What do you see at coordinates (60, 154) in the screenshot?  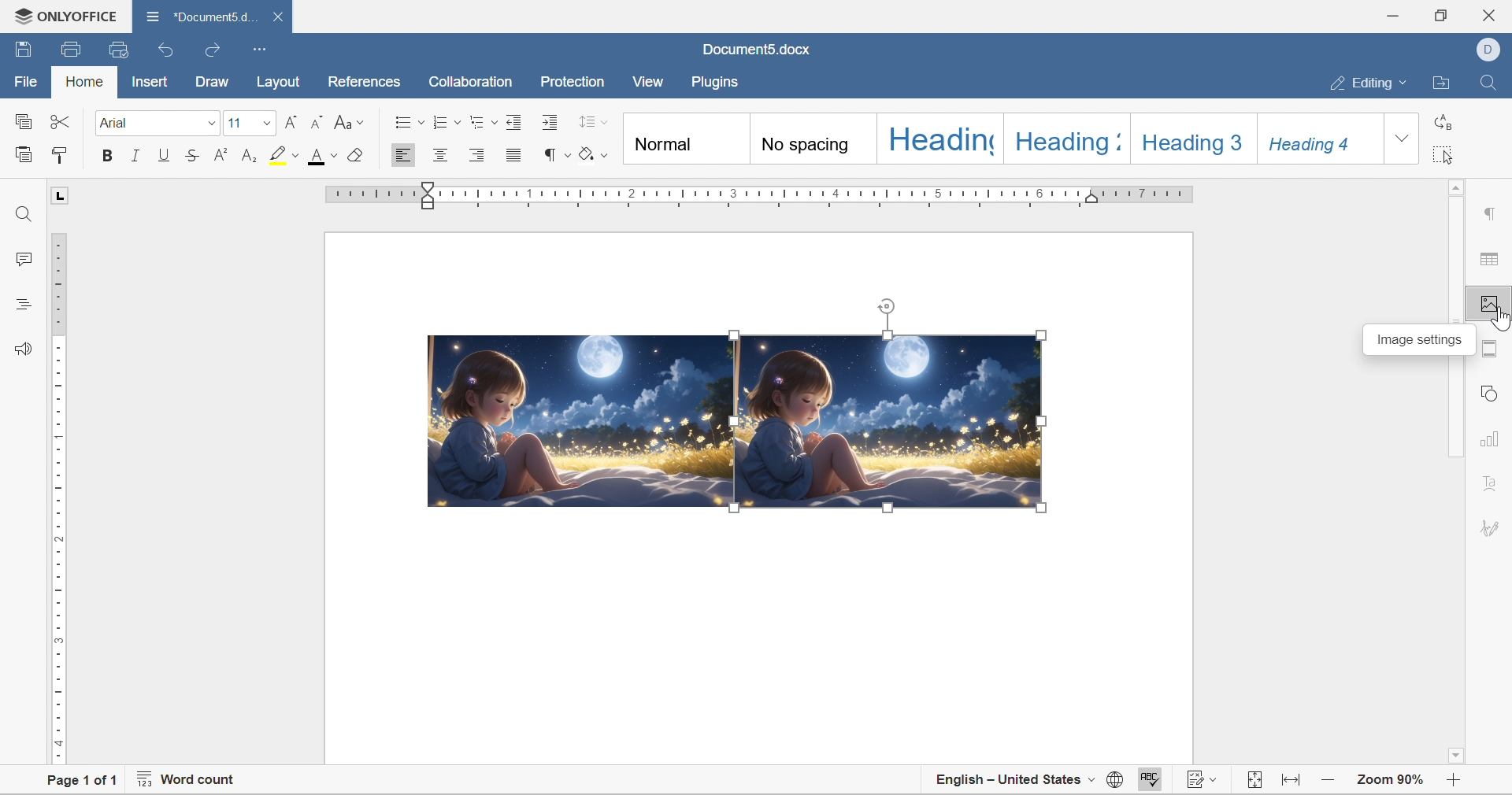 I see `copy style` at bounding box center [60, 154].